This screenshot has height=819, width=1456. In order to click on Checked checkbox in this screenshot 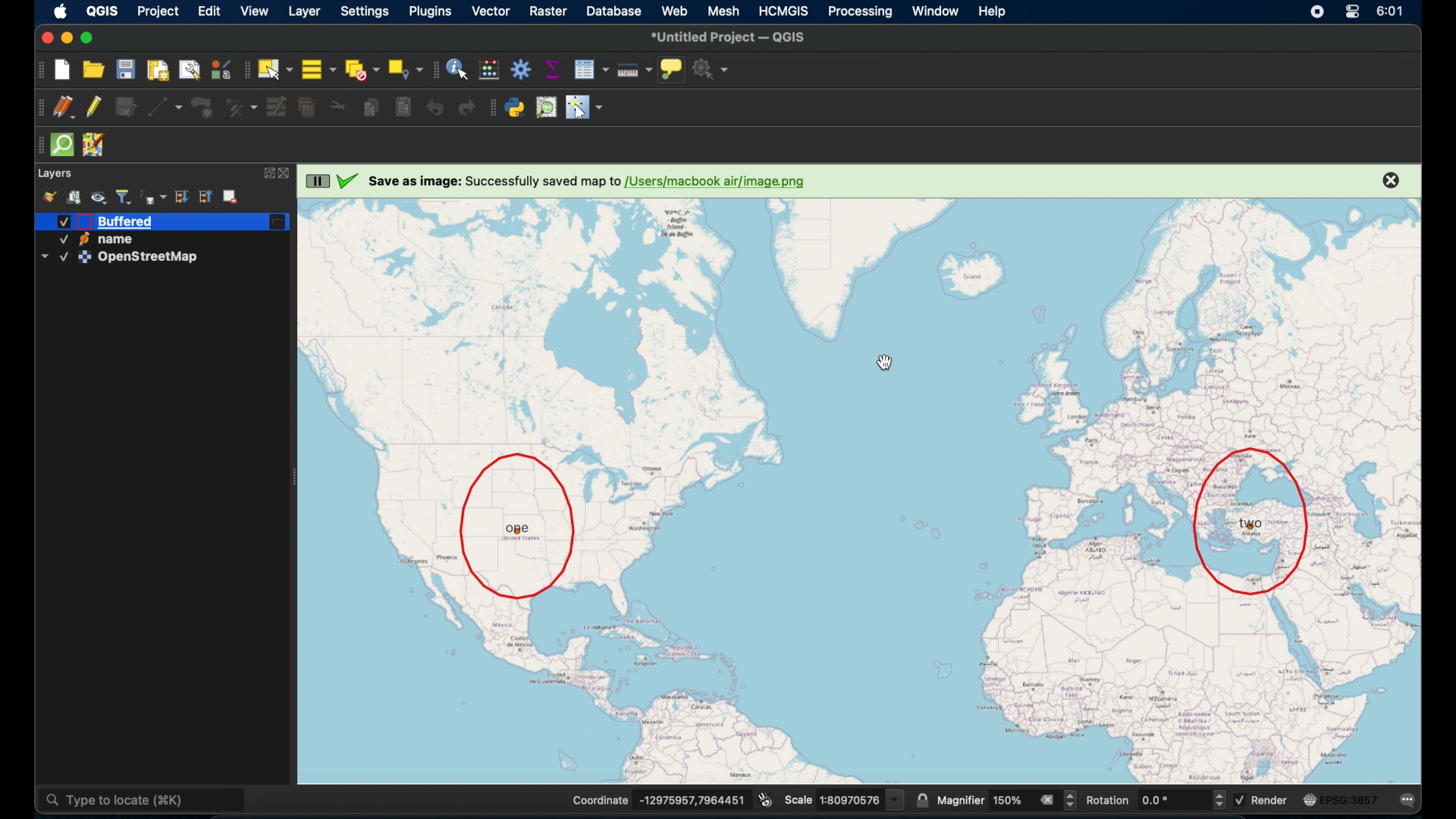, I will do `click(63, 257)`.